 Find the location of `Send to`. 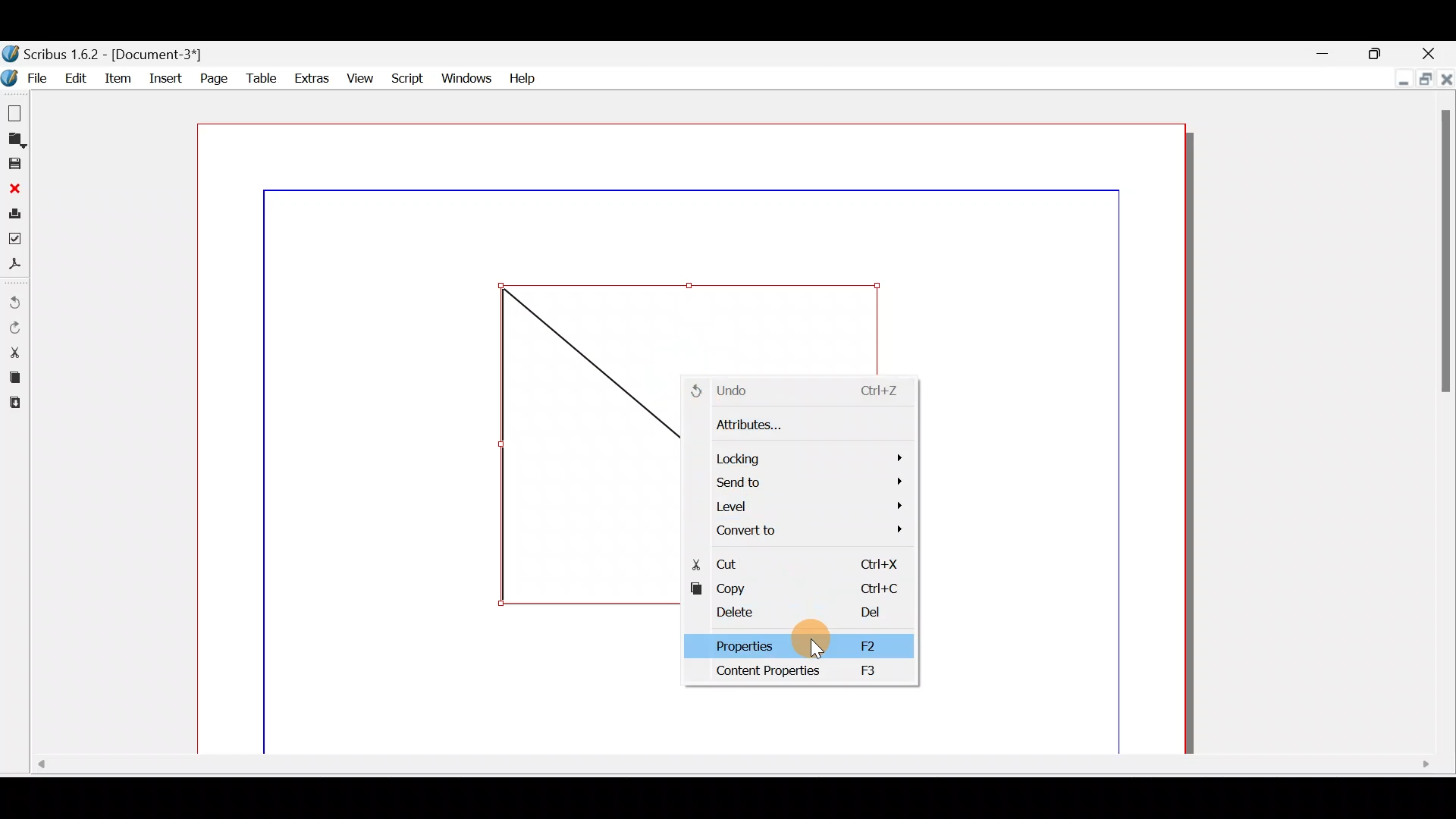

Send to is located at coordinates (808, 481).